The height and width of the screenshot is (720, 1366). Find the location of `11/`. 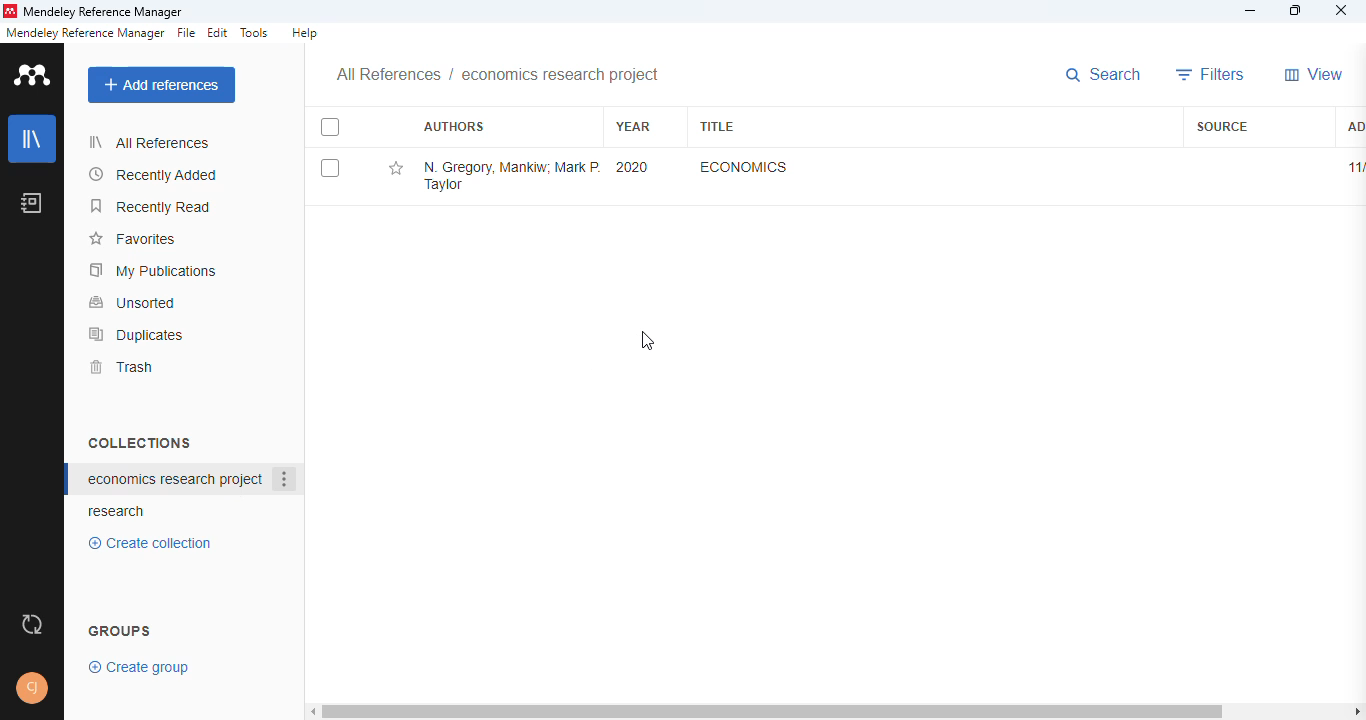

11/ is located at coordinates (1354, 167).